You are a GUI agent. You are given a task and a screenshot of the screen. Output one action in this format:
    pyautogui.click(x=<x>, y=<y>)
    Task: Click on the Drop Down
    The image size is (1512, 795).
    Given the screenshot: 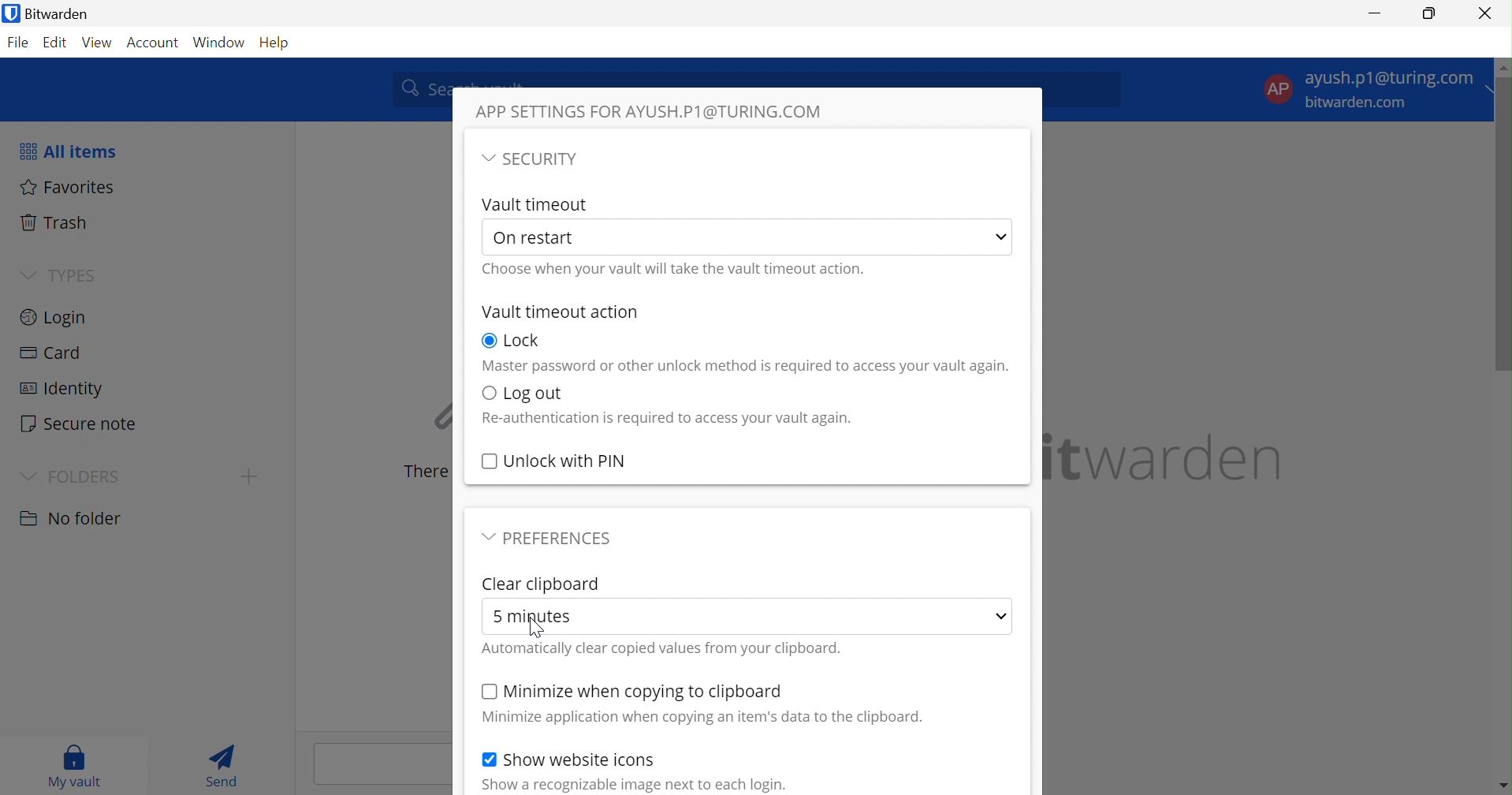 What is the action you would take?
    pyautogui.click(x=28, y=275)
    